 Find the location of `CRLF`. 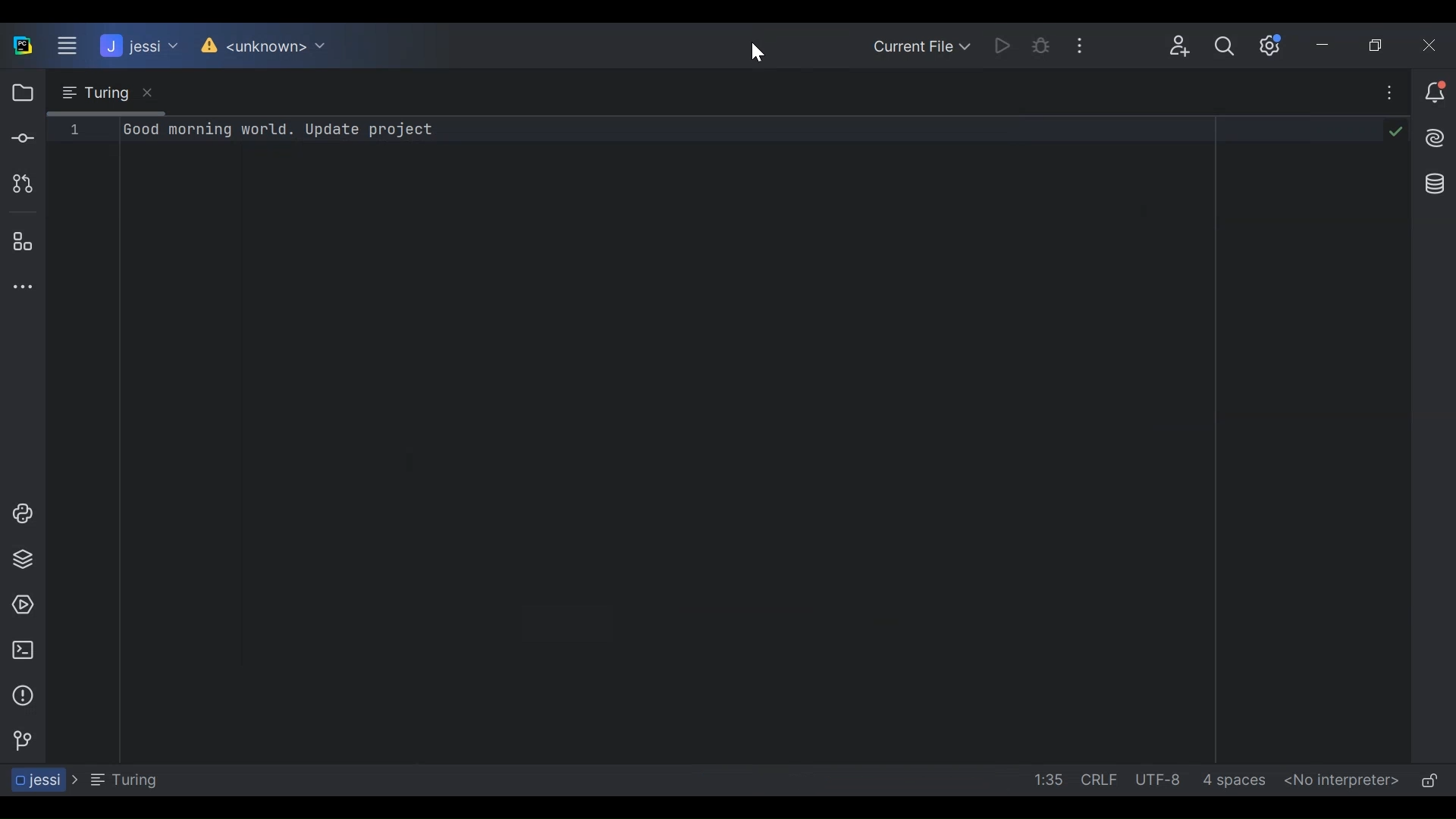

CRLF is located at coordinates (1098, 780).